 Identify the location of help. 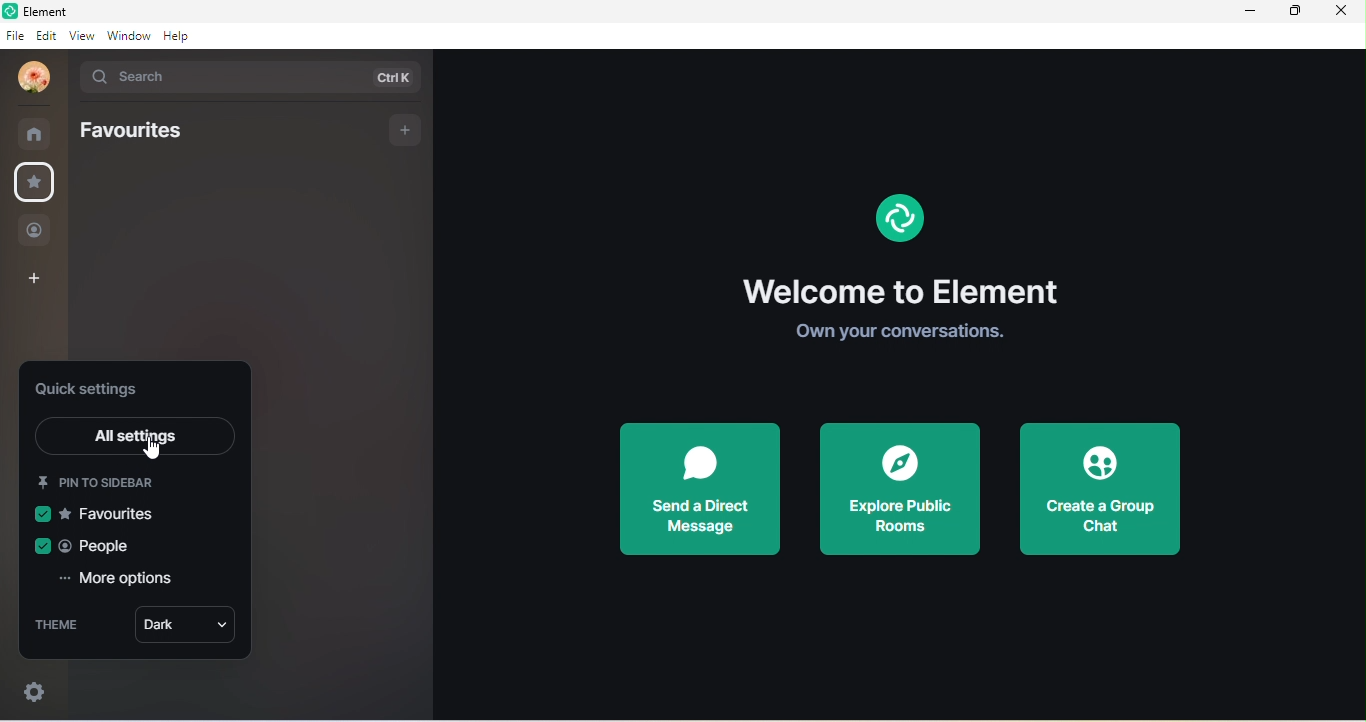
(183, 38).